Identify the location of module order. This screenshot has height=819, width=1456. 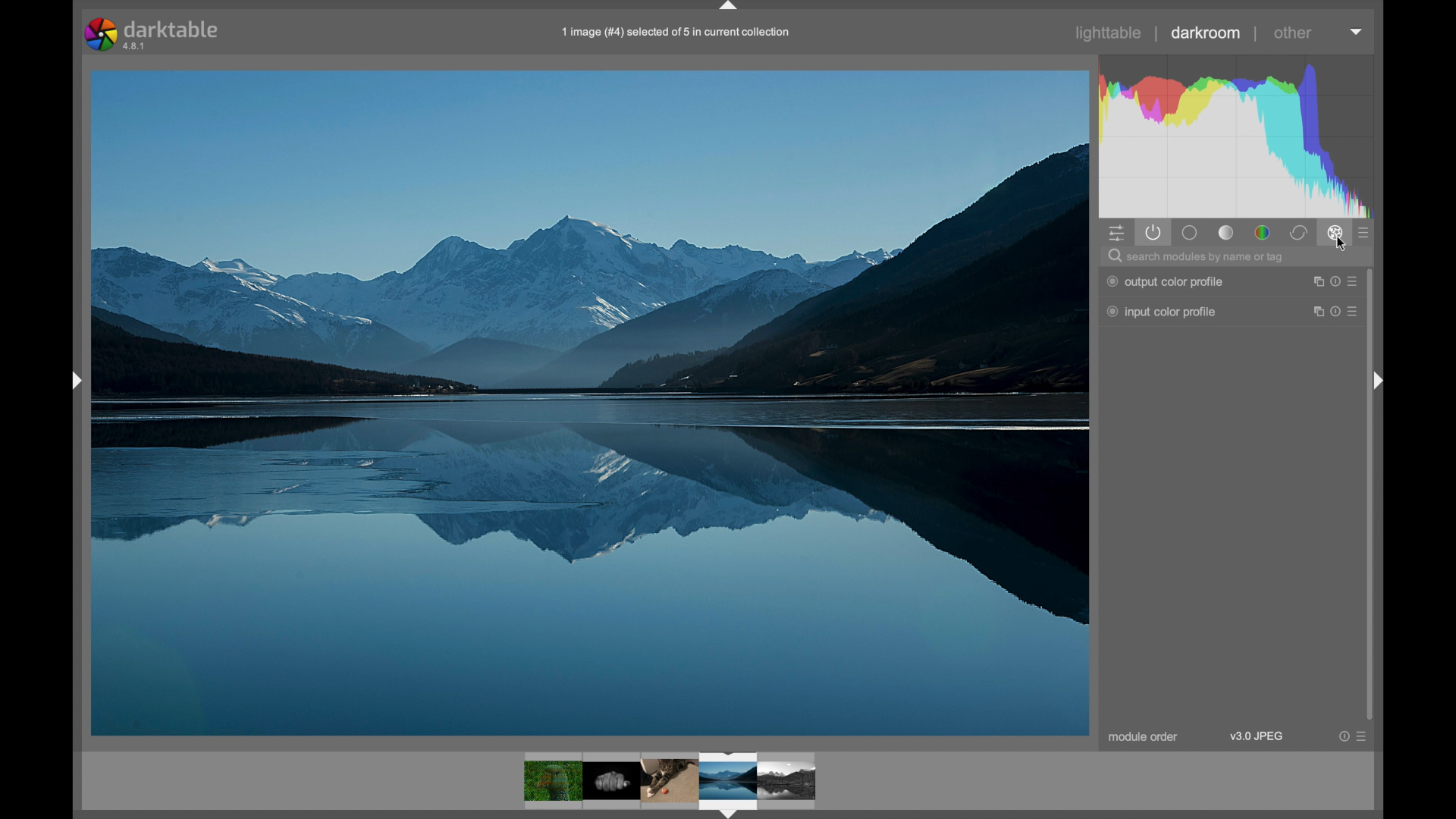
(1142, 737).